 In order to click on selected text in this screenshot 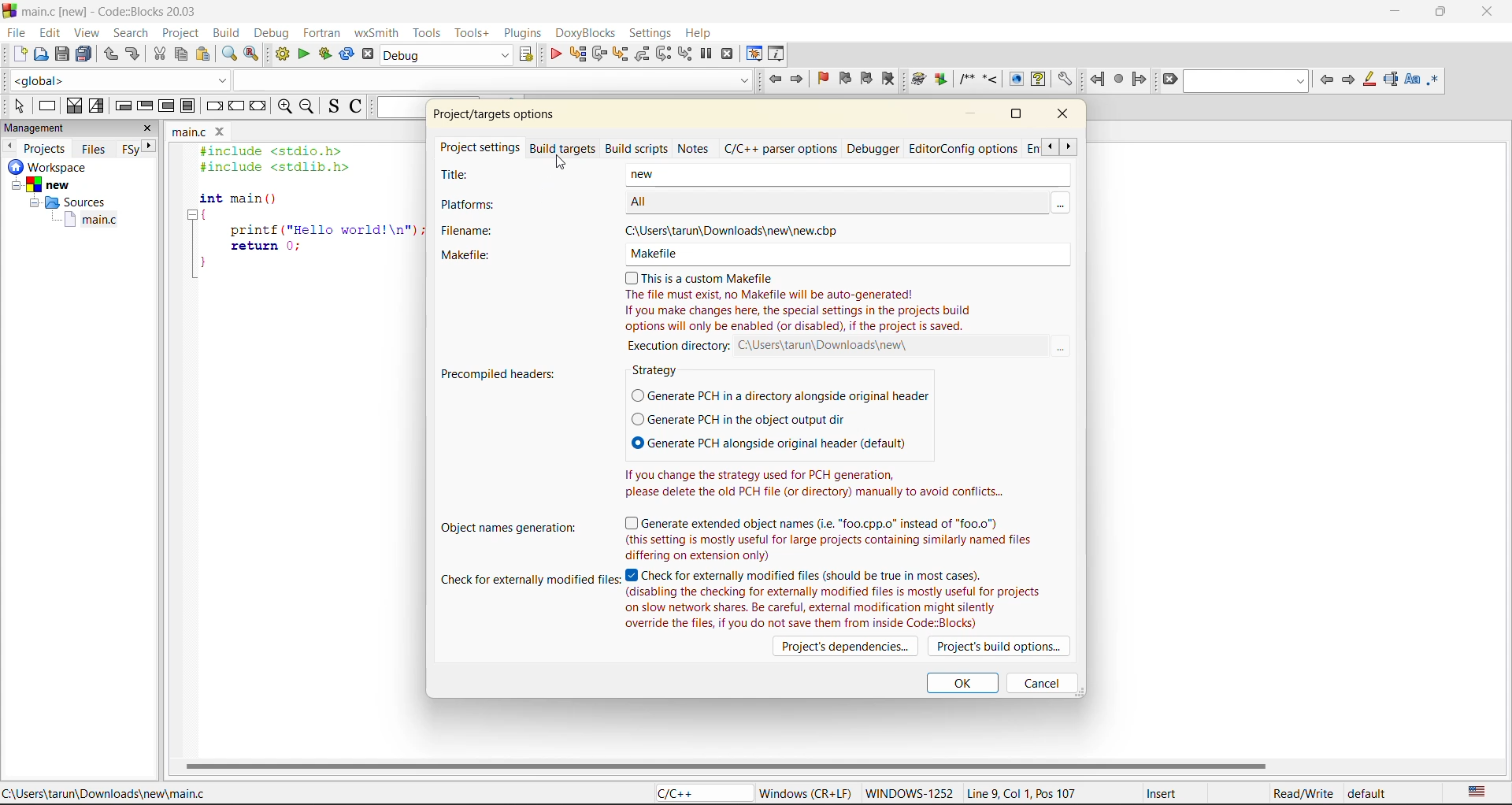, I will do `click(1392, 80)`.